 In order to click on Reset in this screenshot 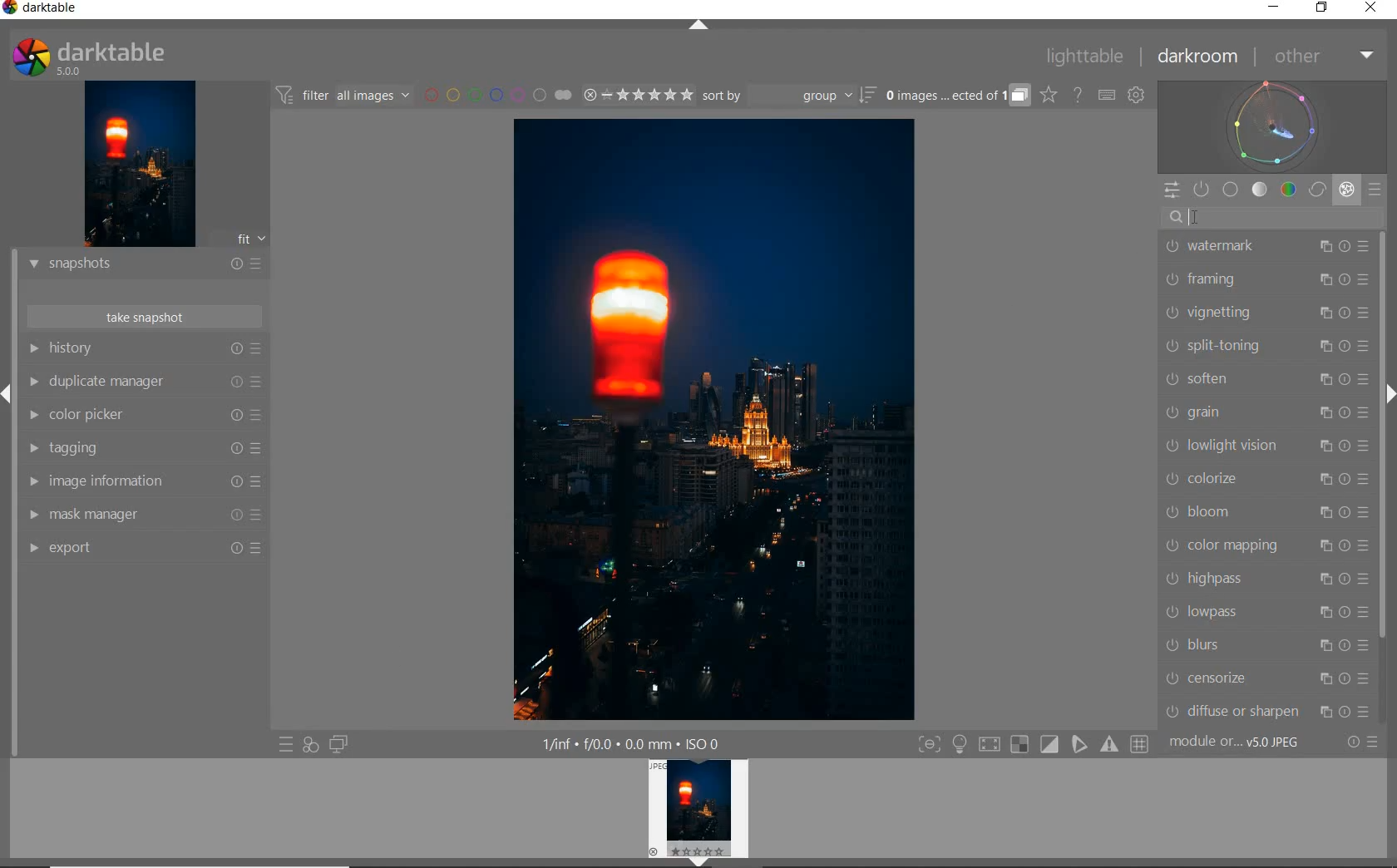, I will do `click(1346, 278)`.